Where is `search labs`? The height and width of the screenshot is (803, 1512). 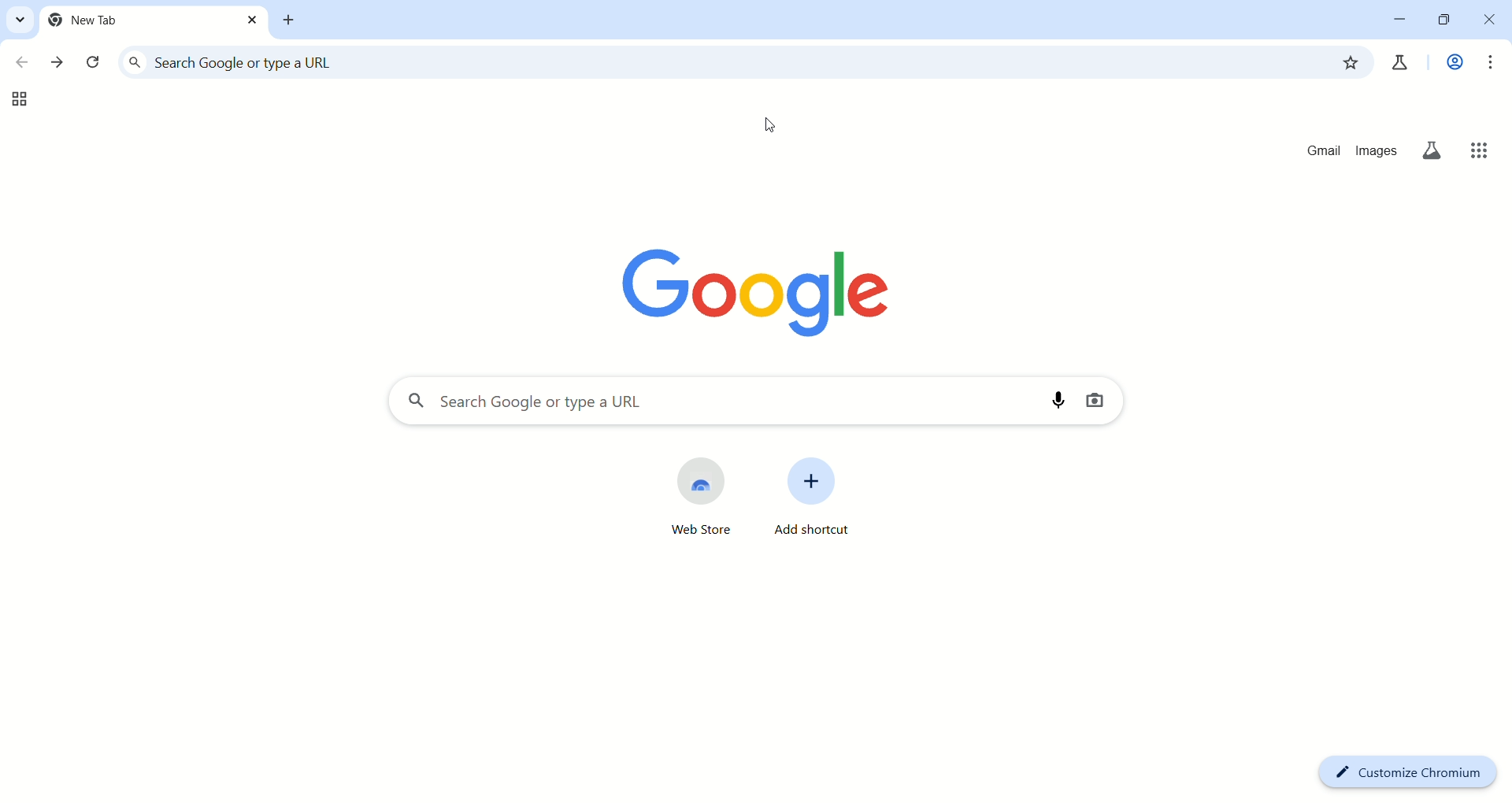 search labs is located at coordinates (1433, 150).